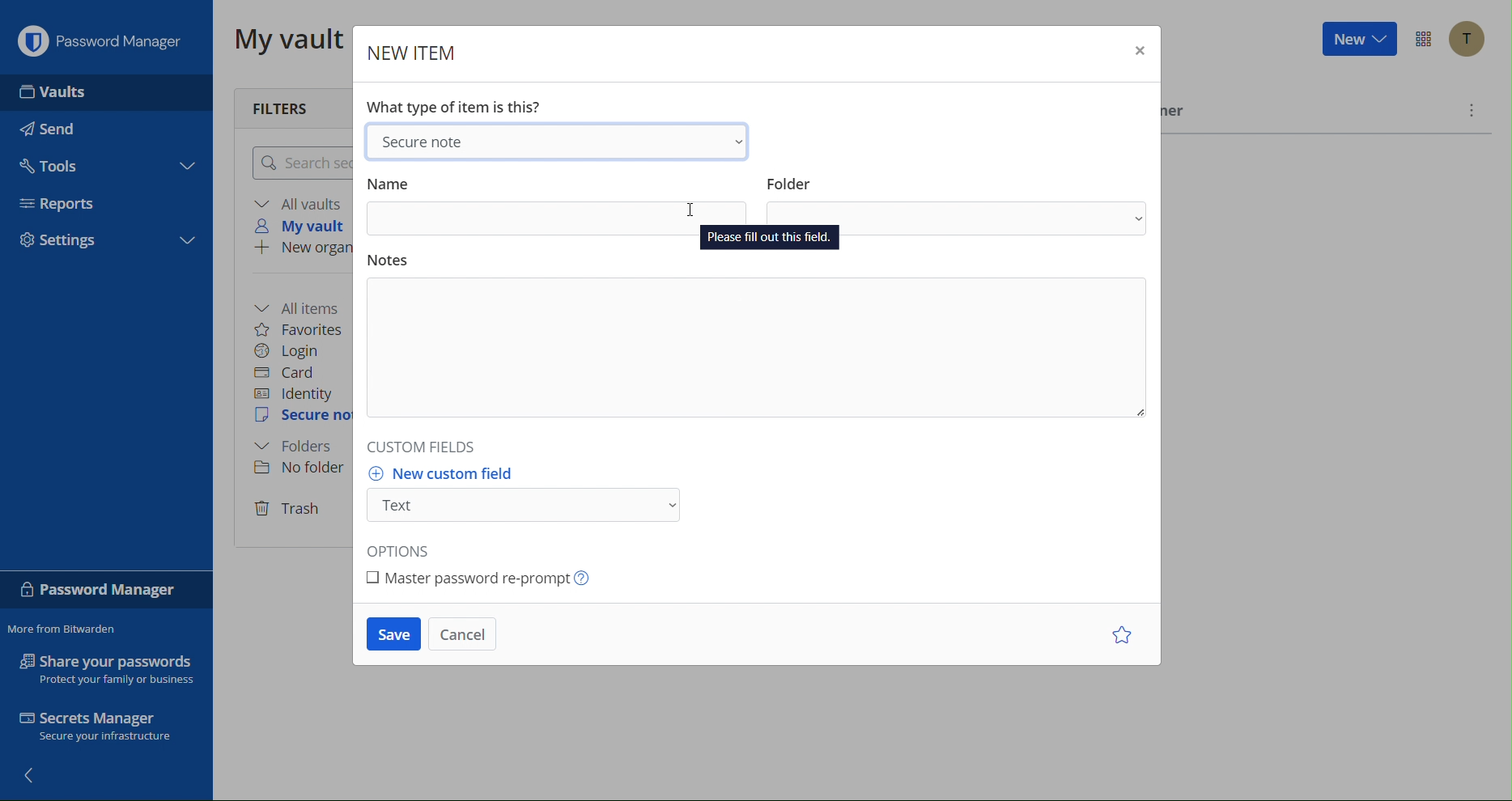 The height and width of the screenshot is (801, 1512). Describe the element at coordinates (291, 507) in the screenshot. I see `Trash` at that location.